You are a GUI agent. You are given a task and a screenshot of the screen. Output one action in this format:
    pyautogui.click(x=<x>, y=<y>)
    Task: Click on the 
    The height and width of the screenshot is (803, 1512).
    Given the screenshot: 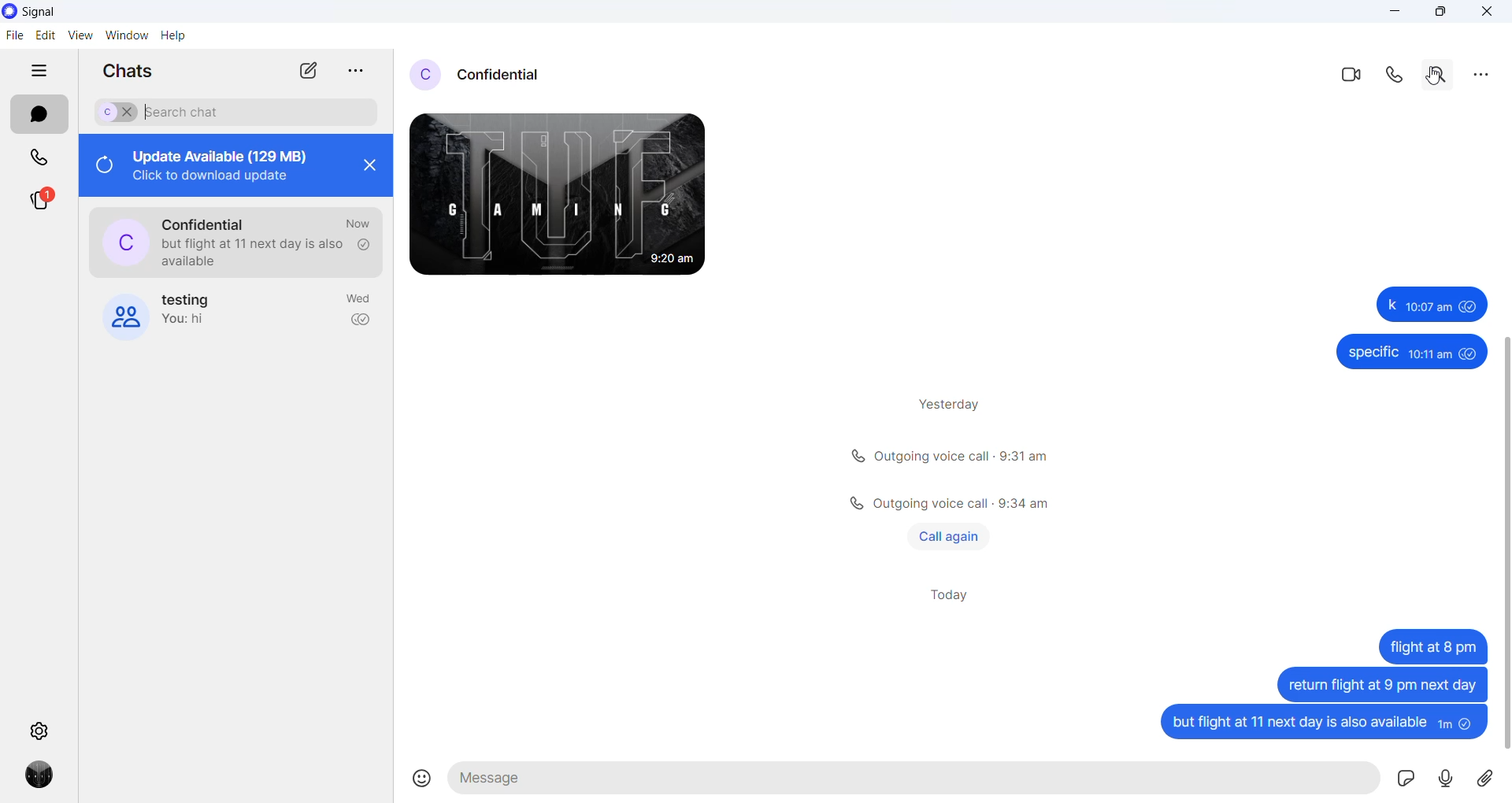 What is the action you would take?
    pyautogui.click(x=1428, y=304)
    